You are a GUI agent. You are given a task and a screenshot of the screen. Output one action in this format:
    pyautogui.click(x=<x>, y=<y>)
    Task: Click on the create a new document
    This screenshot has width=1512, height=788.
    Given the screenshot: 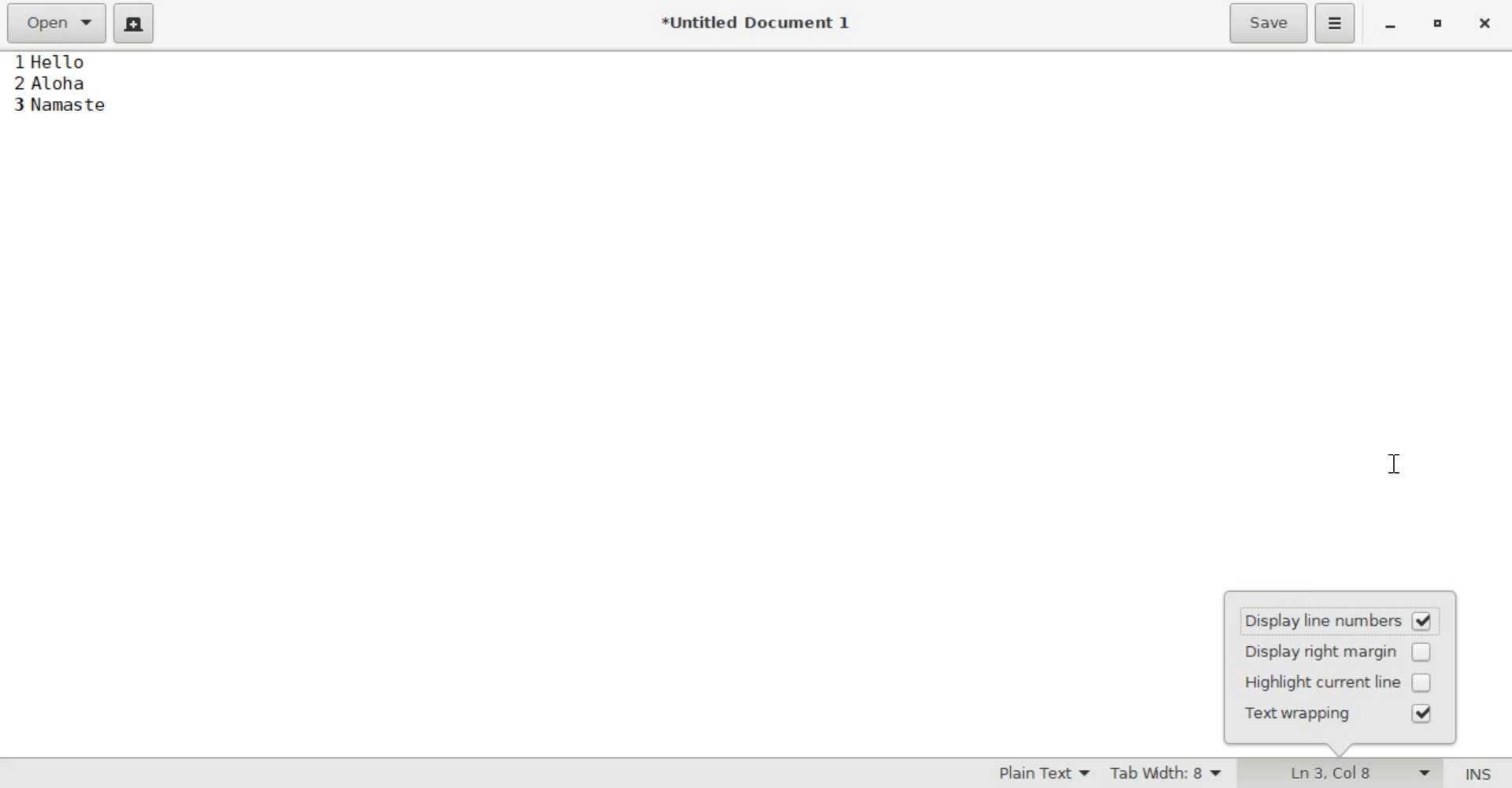 What is the action you would take?
    pyautogui.click(x=135, y=24)
    